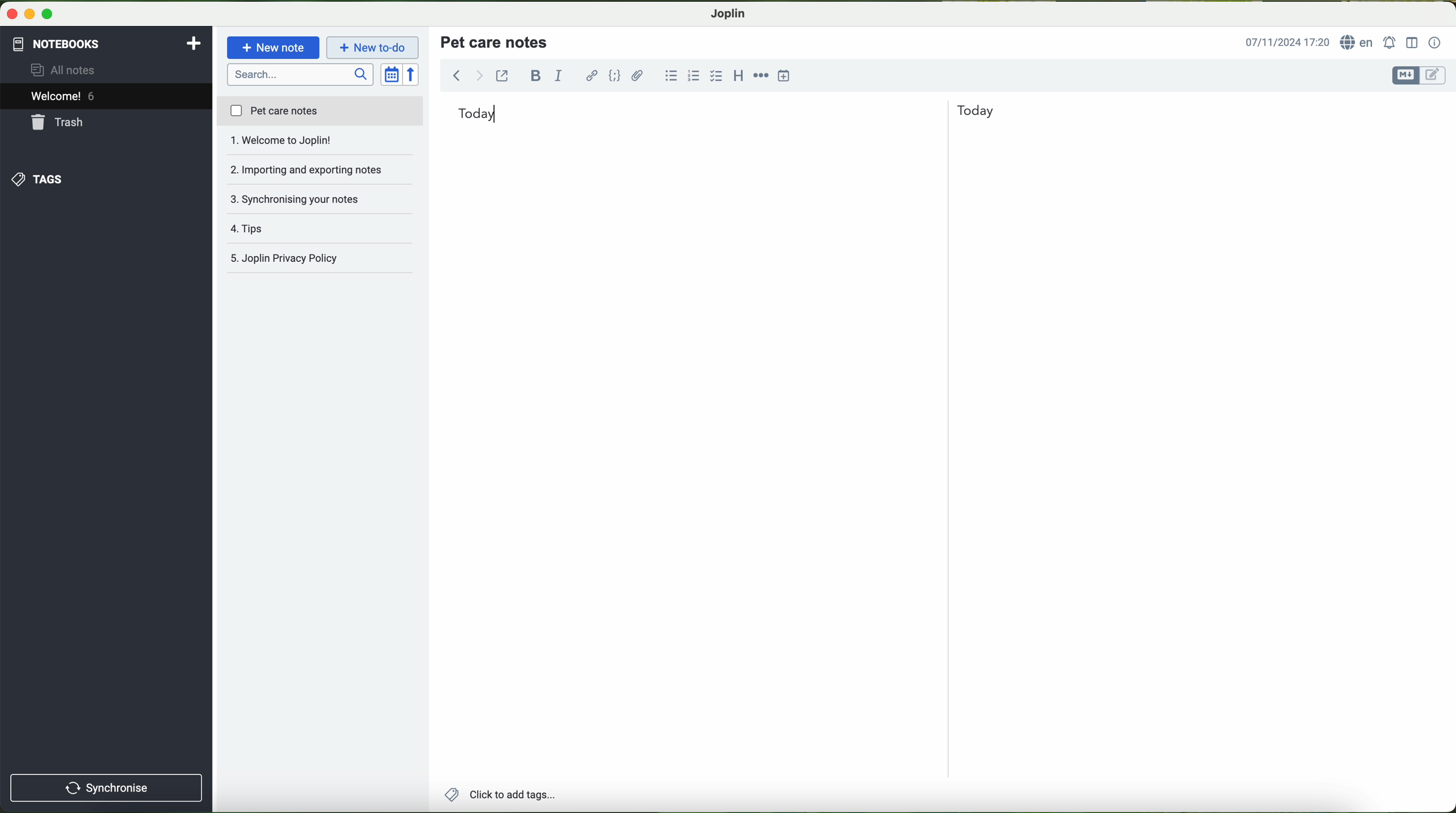 The width and height of the screenshot is (1456, 813). I want to click on cursor on new to-do button , so click(374, 48).